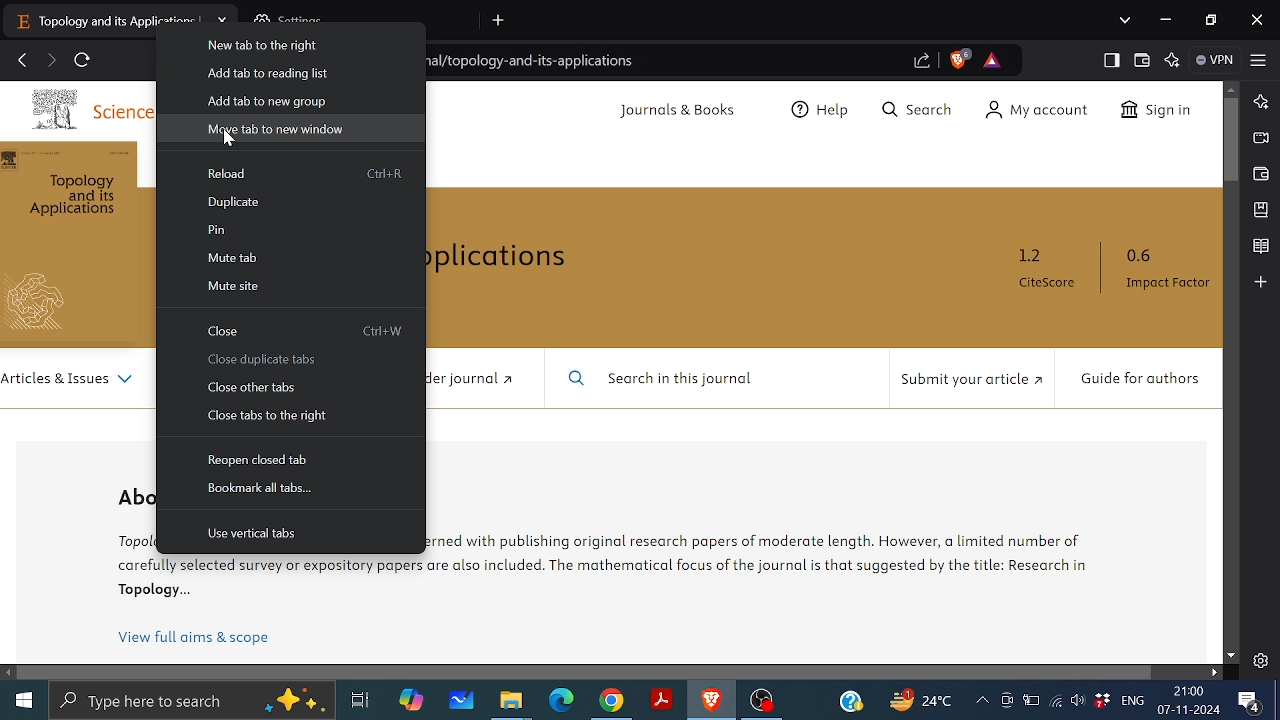  What do you see at coordinates (81, 201) in the screenshot?
I see `Topology and its Applications` at bounding box center [81, 201].